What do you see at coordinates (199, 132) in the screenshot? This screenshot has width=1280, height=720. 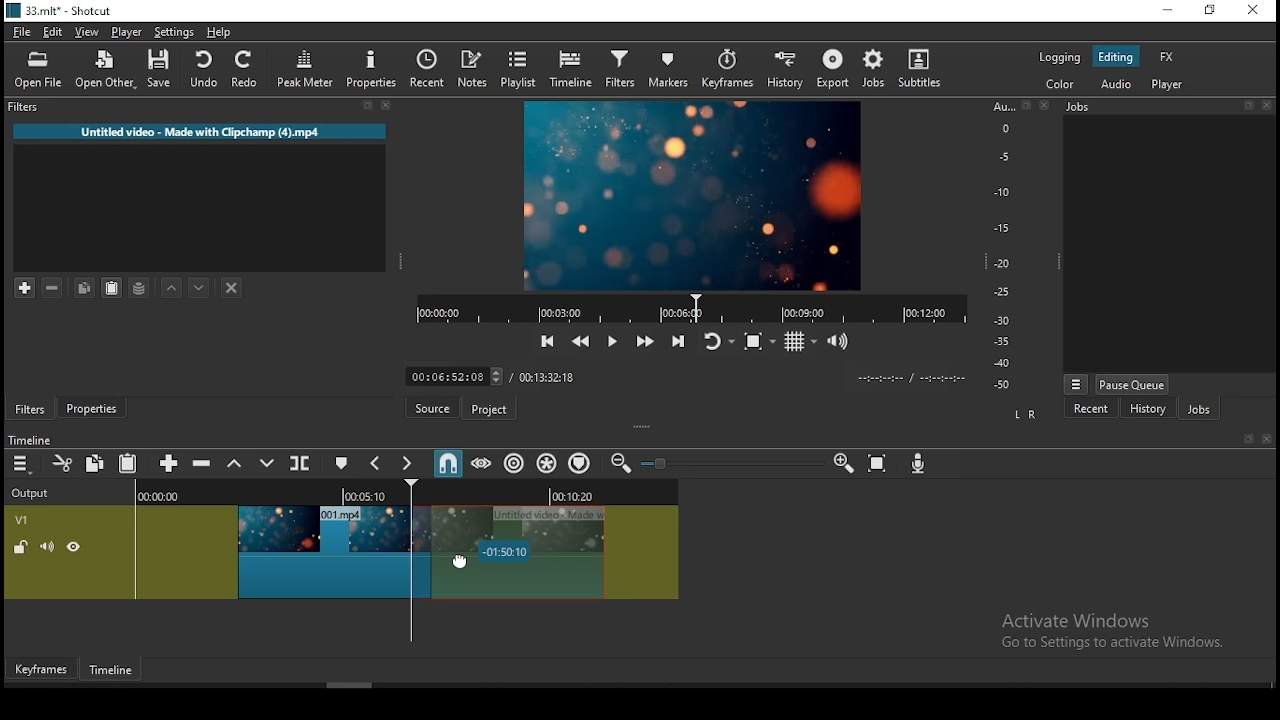 I see `‘Untitled video - Made with Clipchamp (4).mp4` at bounding box center [199, 132].